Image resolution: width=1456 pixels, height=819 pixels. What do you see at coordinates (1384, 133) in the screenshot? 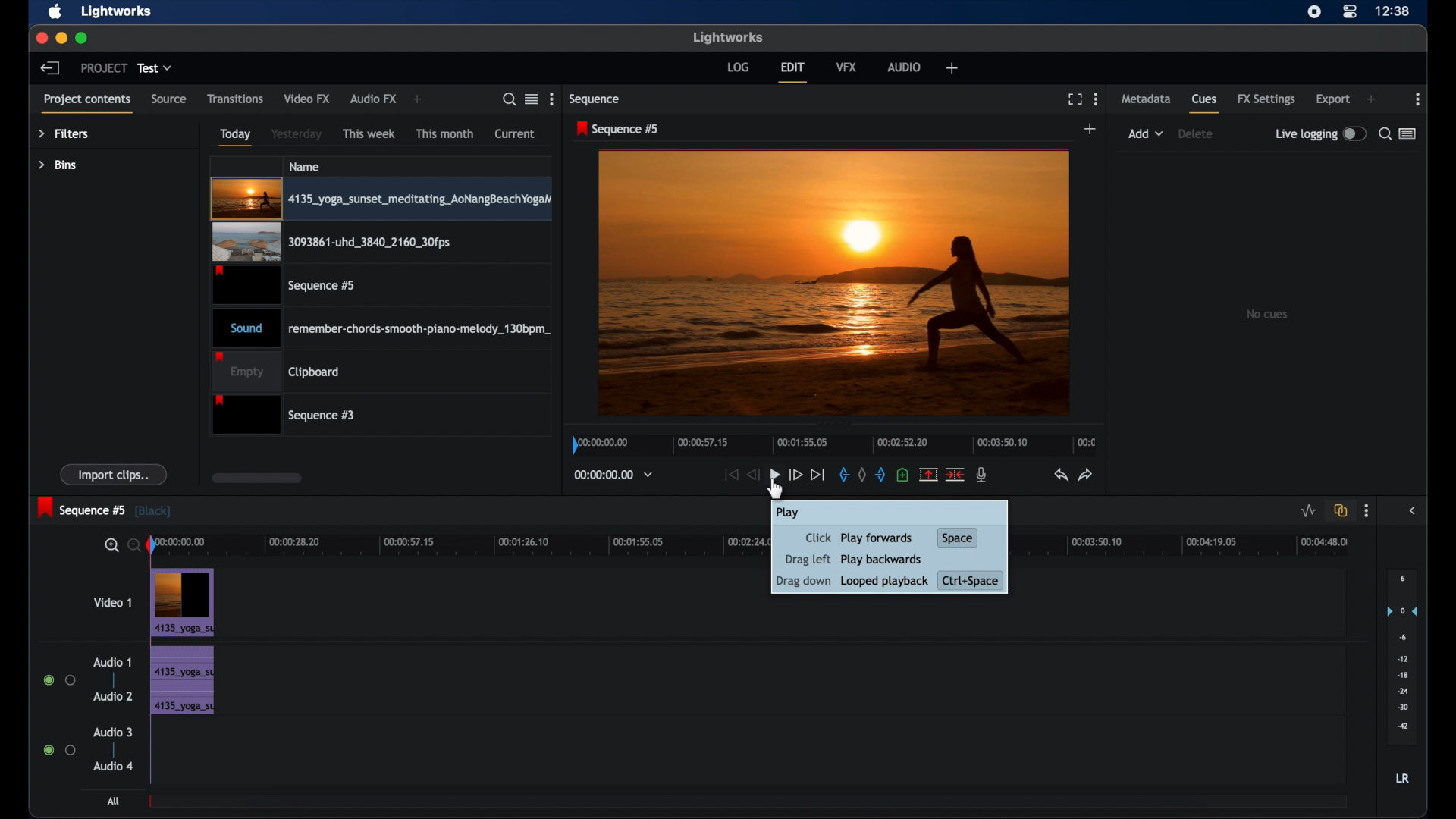
I see `search for cues` at bounding box center [1384, 133].